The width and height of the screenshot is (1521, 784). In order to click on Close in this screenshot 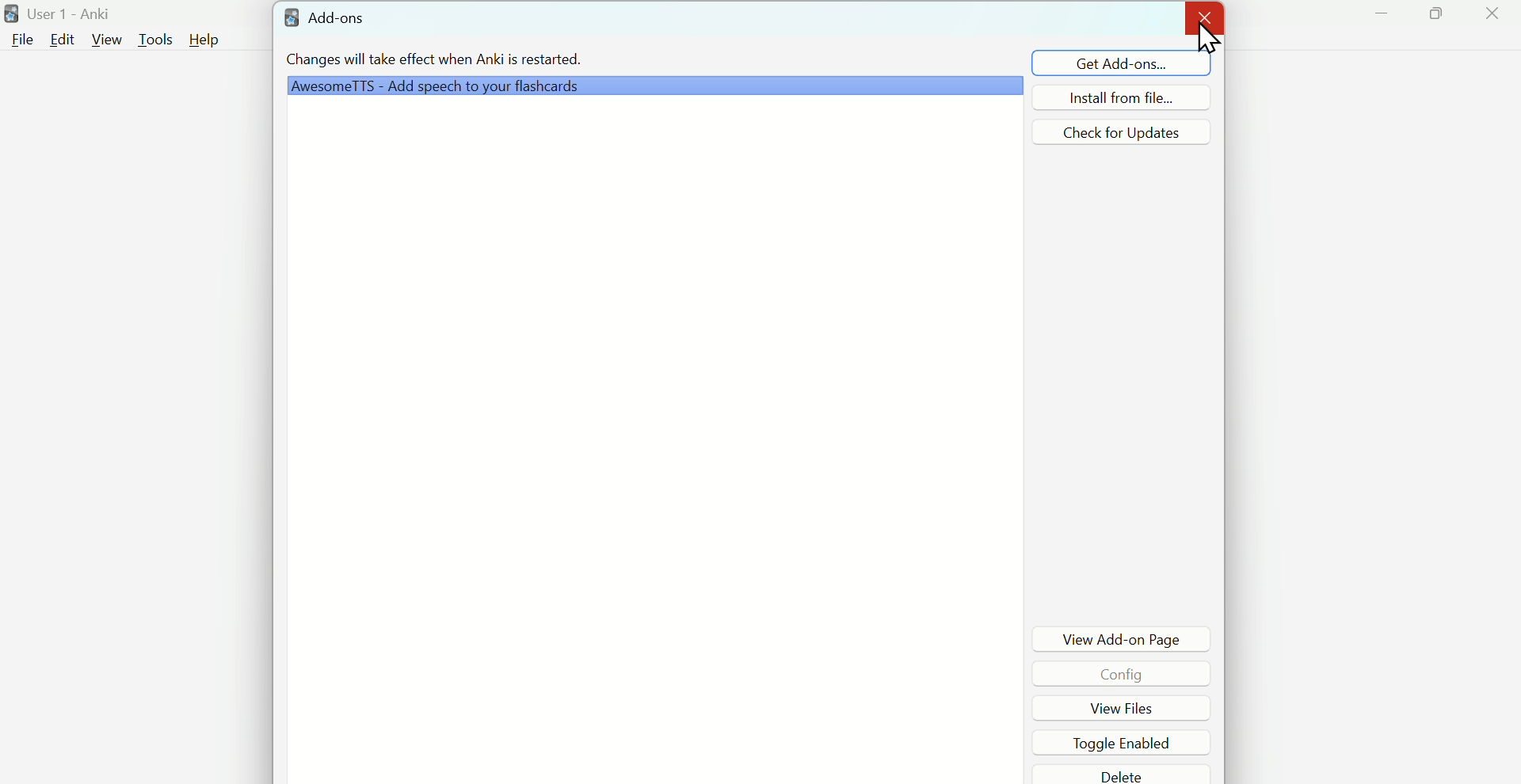, I will do `click(1491, 21)`.